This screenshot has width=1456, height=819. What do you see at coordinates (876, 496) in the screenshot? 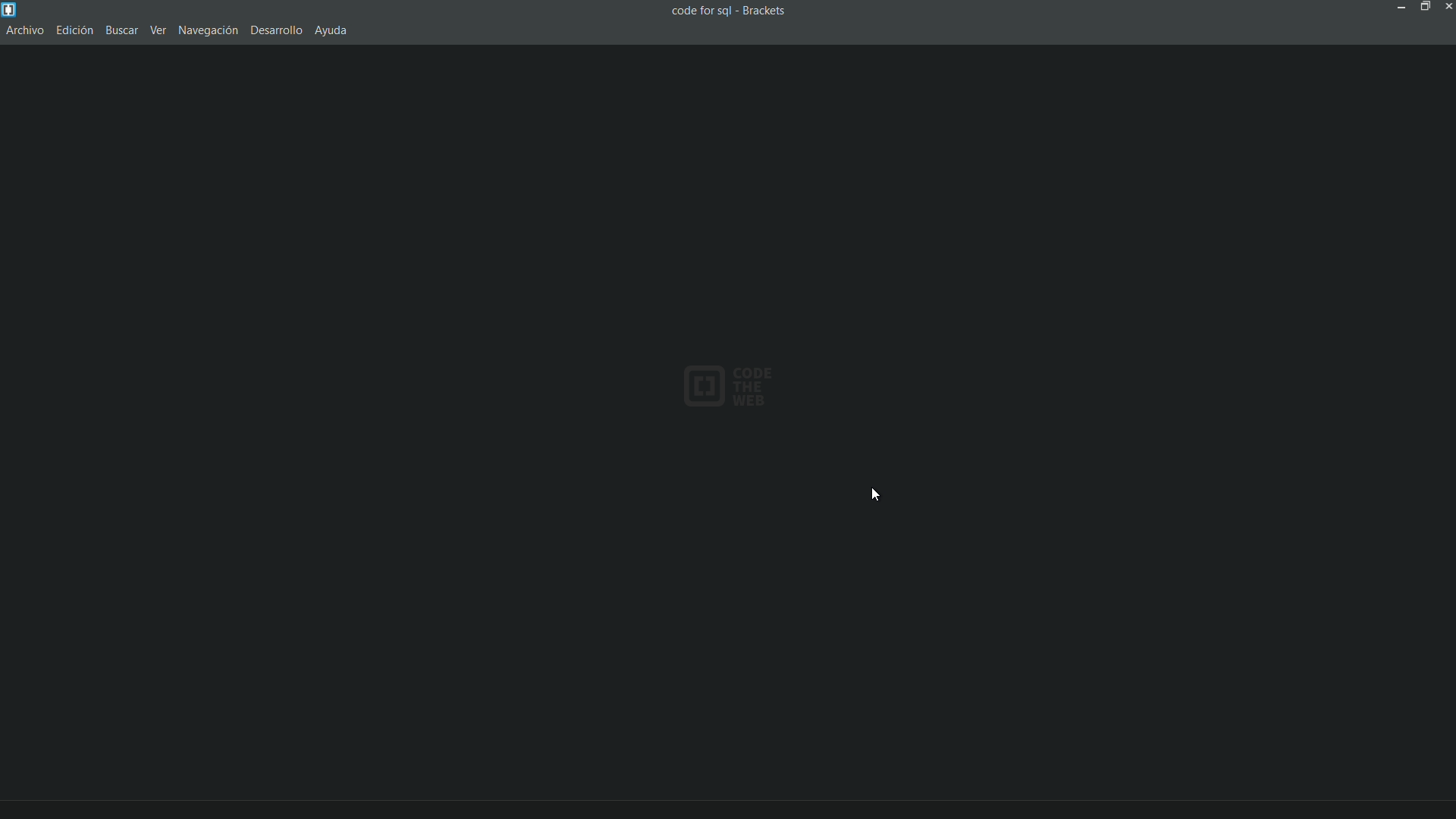
I see `cursor` at bounding box center [876, 496].